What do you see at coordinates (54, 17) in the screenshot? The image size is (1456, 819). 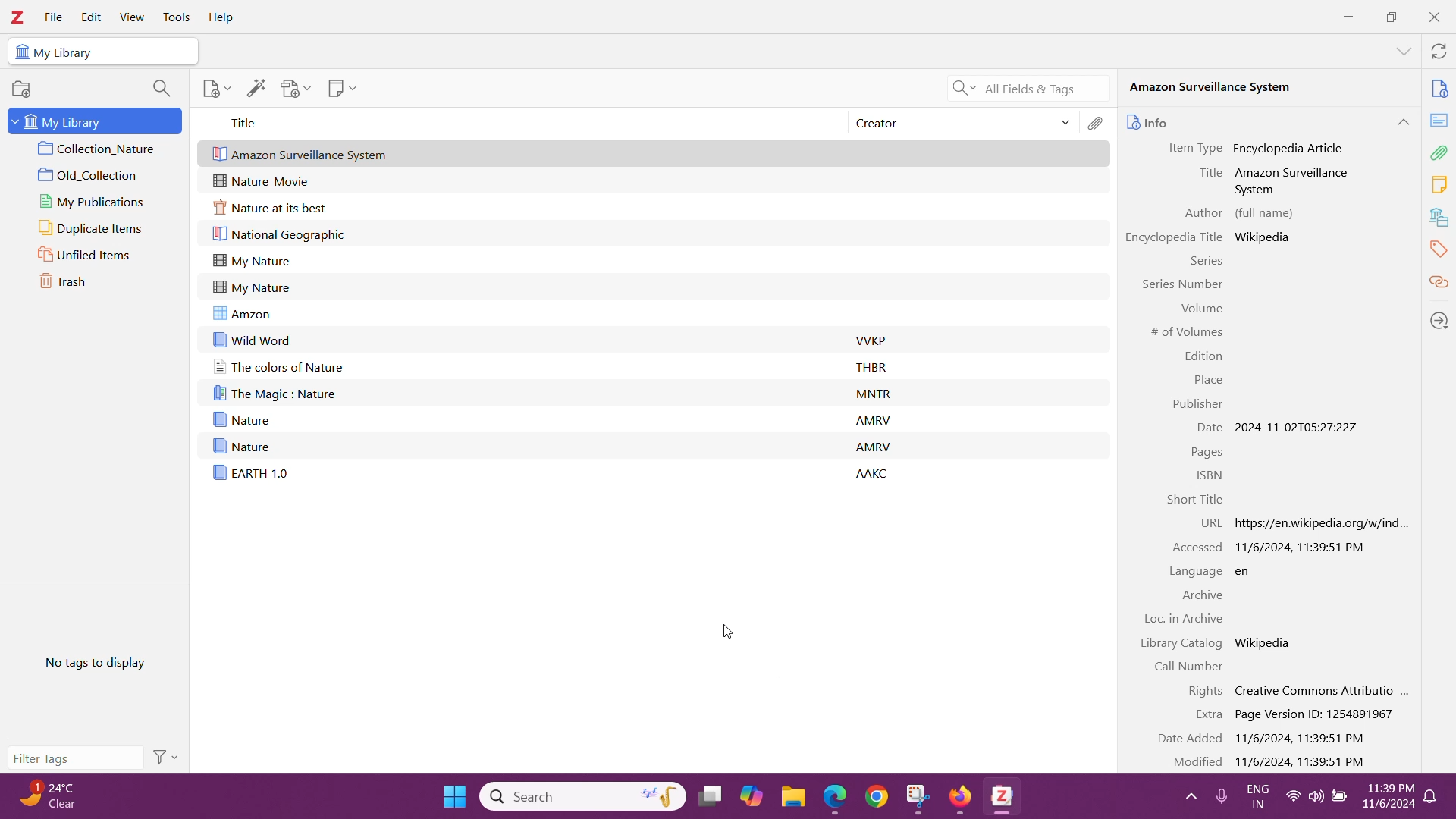 I see `File` at bounding box center [54, 17].